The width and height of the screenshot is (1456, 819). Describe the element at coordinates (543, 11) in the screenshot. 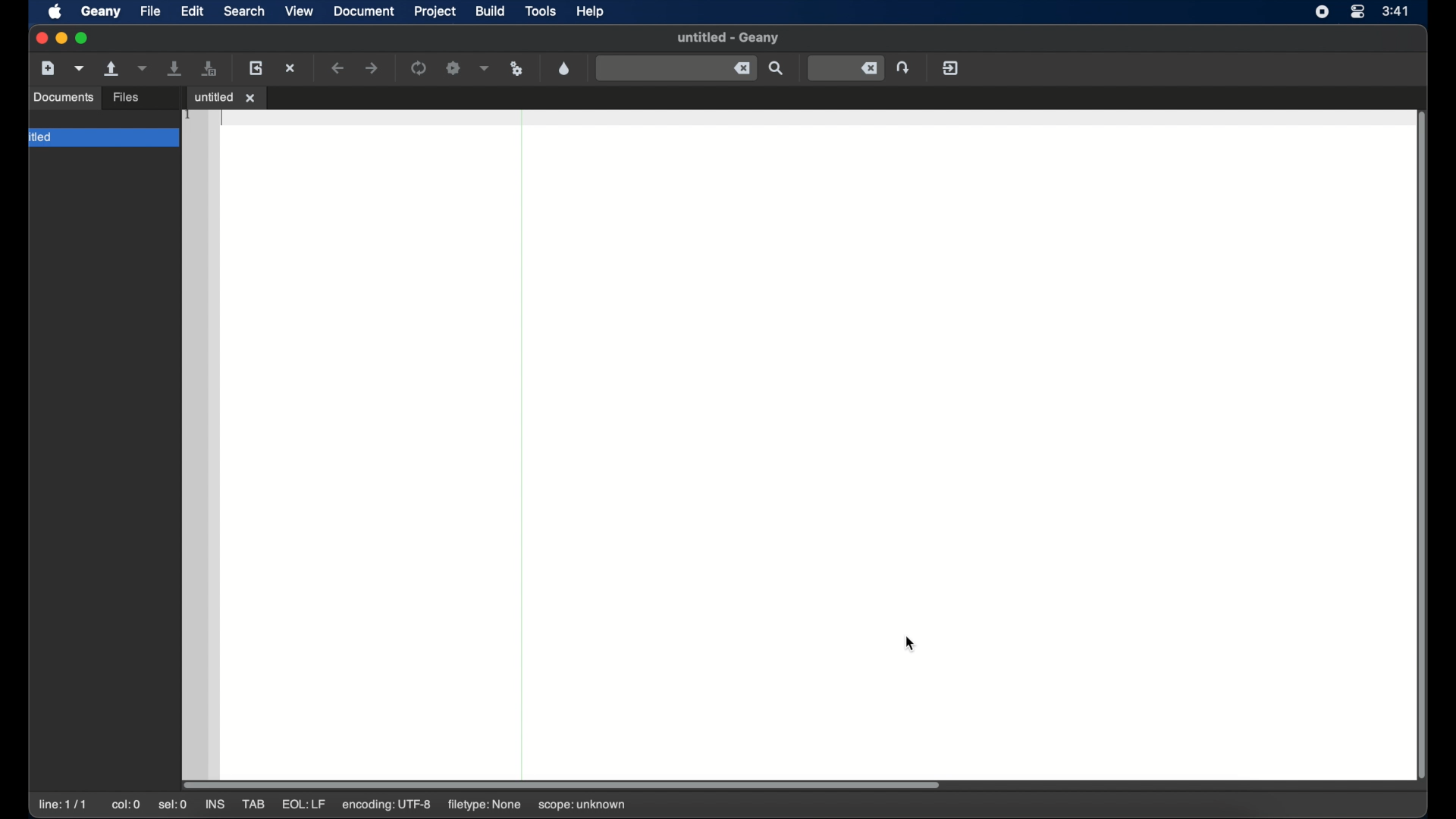

I see `tools` at that location.